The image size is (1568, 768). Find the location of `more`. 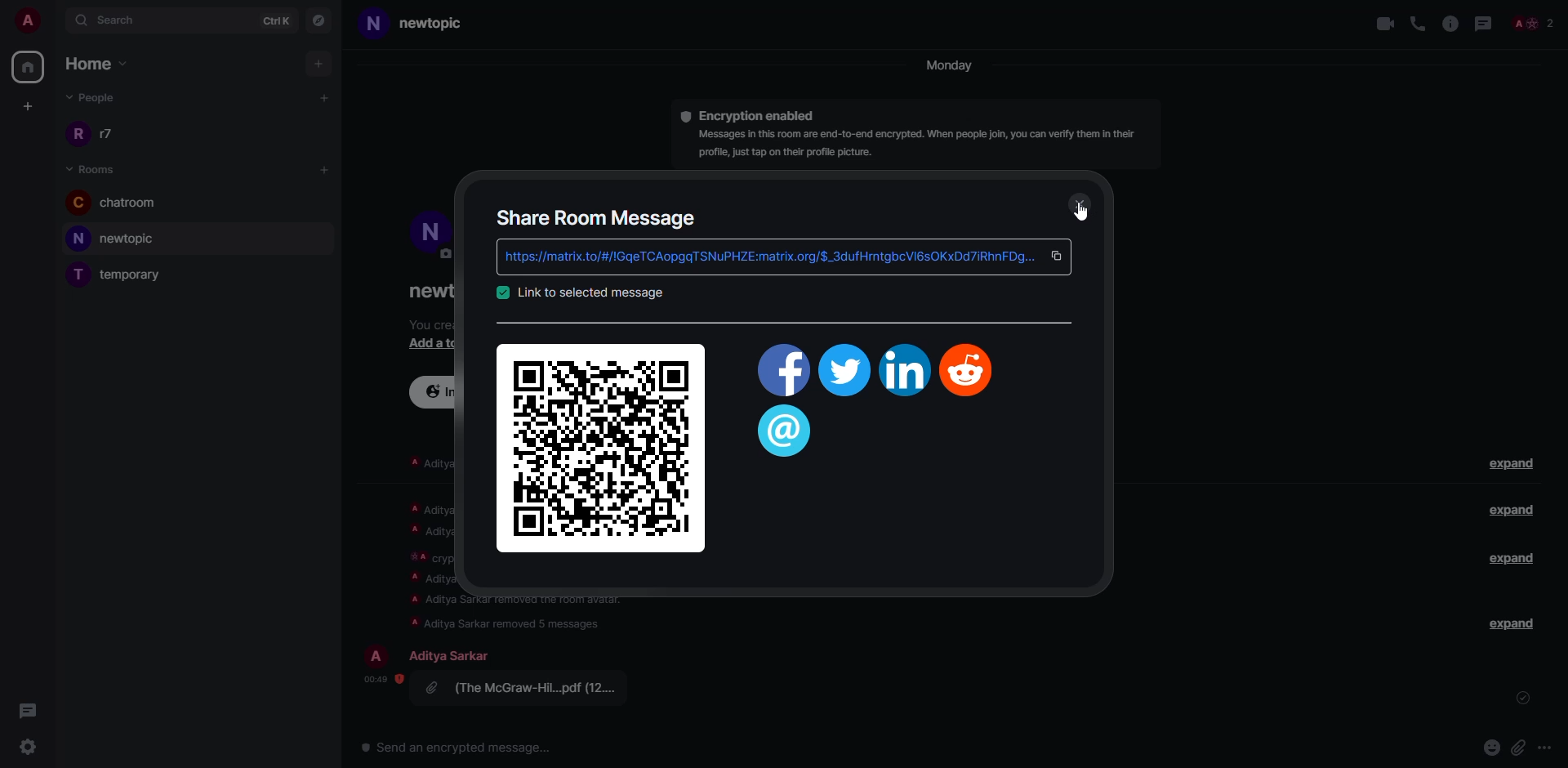

more is located at coordinates (1543, 747).